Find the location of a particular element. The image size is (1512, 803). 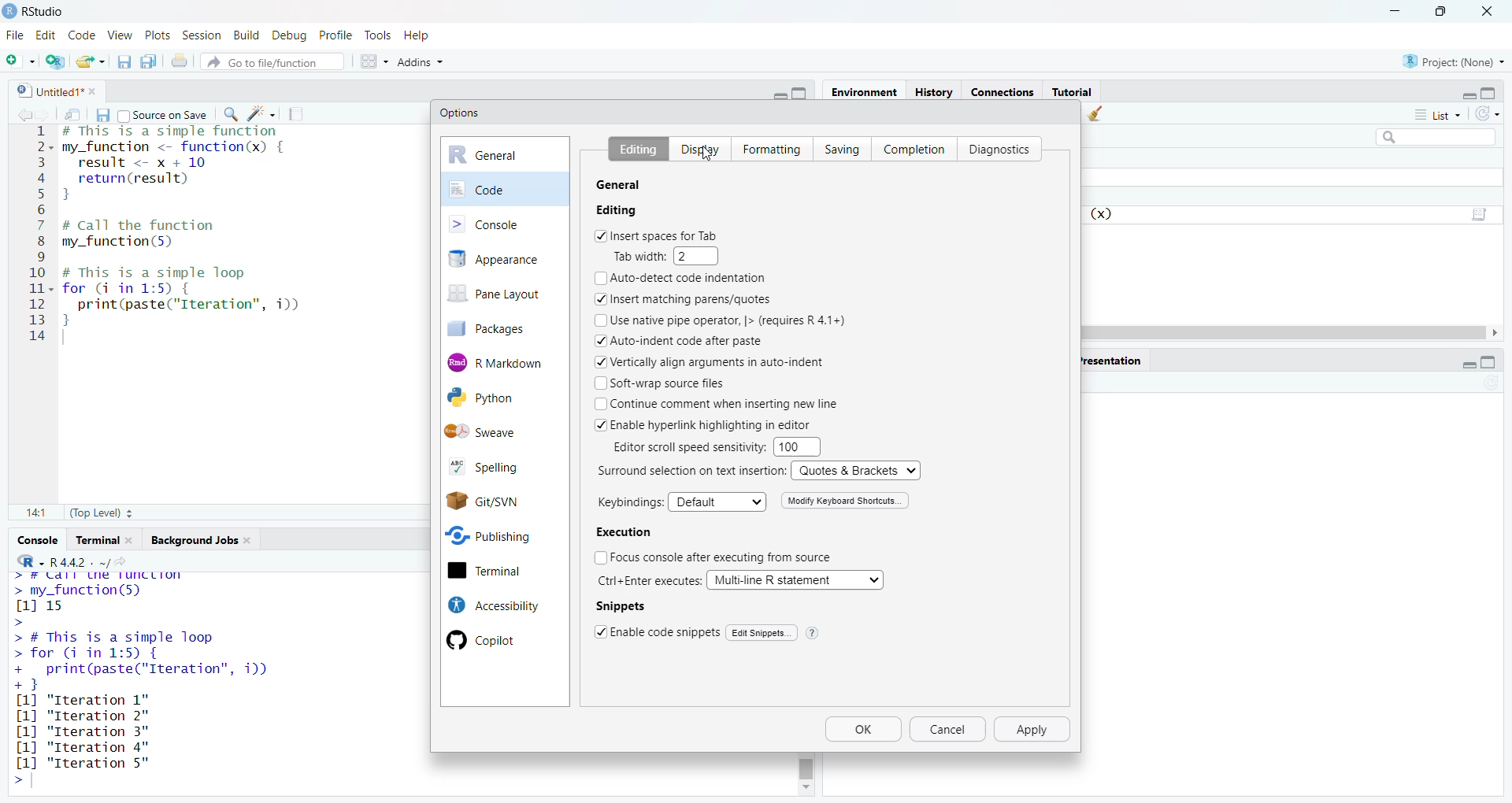

Saving is located at coordinates (841, 149).